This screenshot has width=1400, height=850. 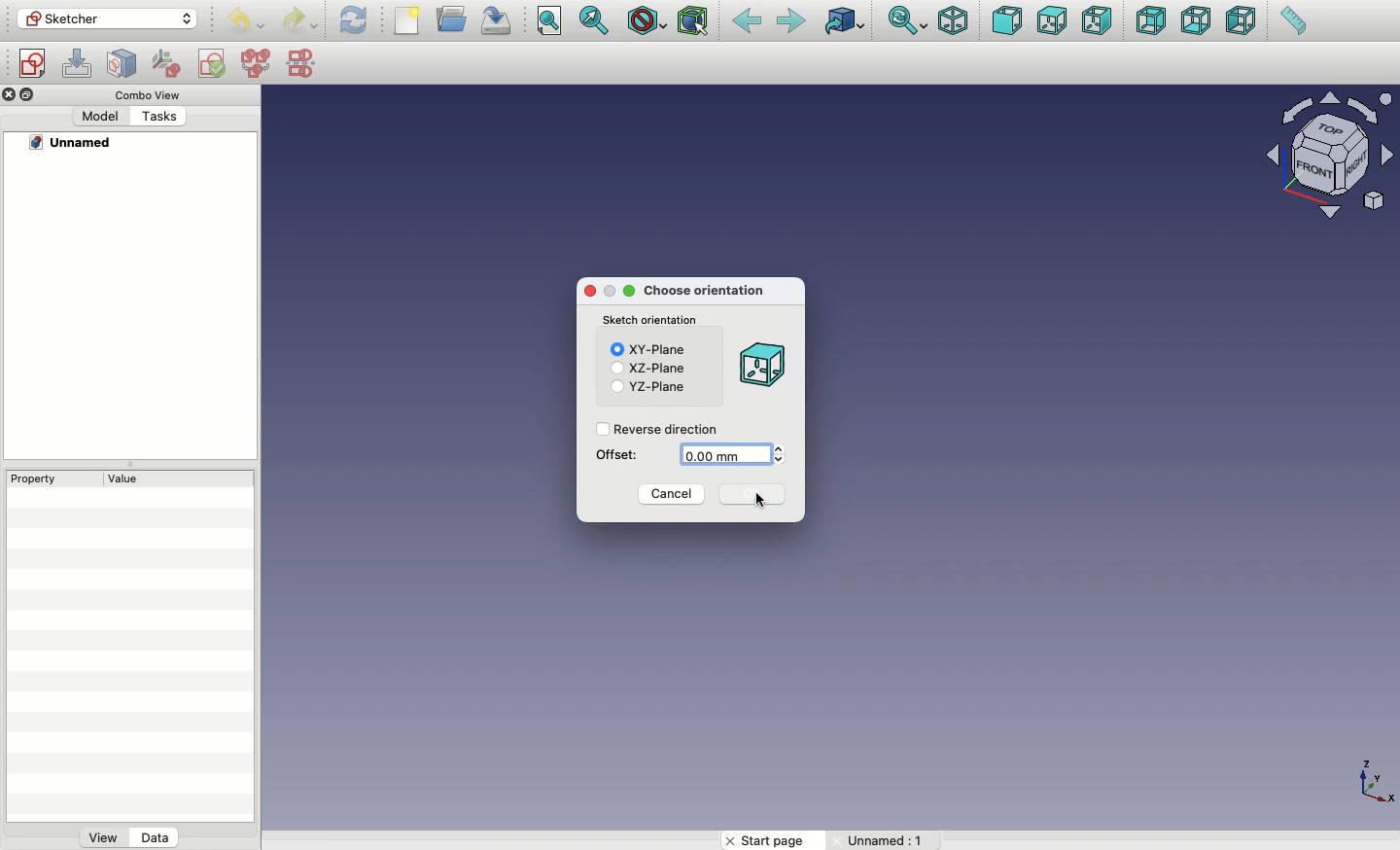 What do you see at coordinates (353, 20) in the screenshot?
I see `Refresh` at bounding box center [353, 20].